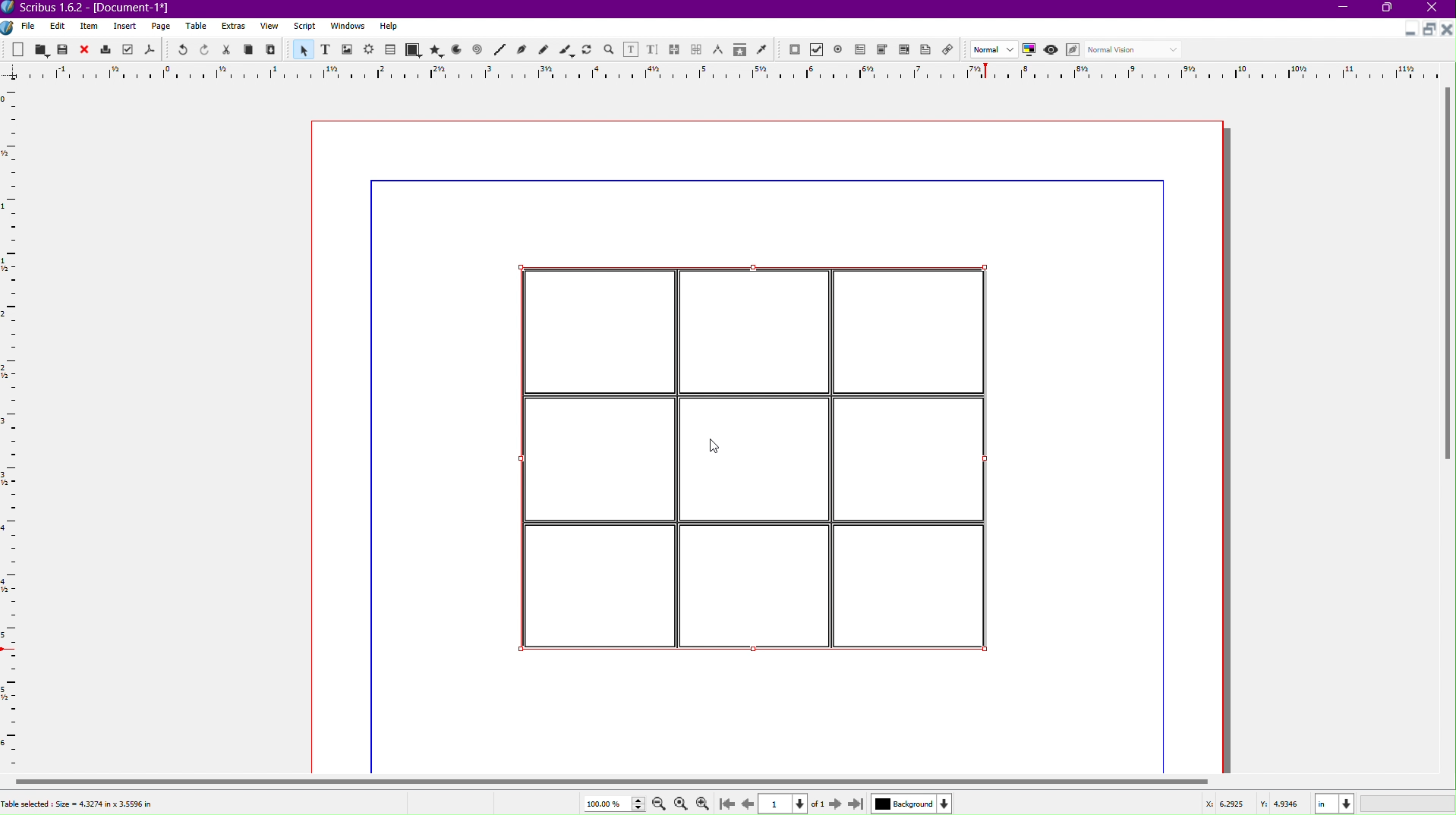 The image size is (1456, 815). Describe the element at coordinates (730, 803) in the screenshot. I see `Go to First Page` at that location.